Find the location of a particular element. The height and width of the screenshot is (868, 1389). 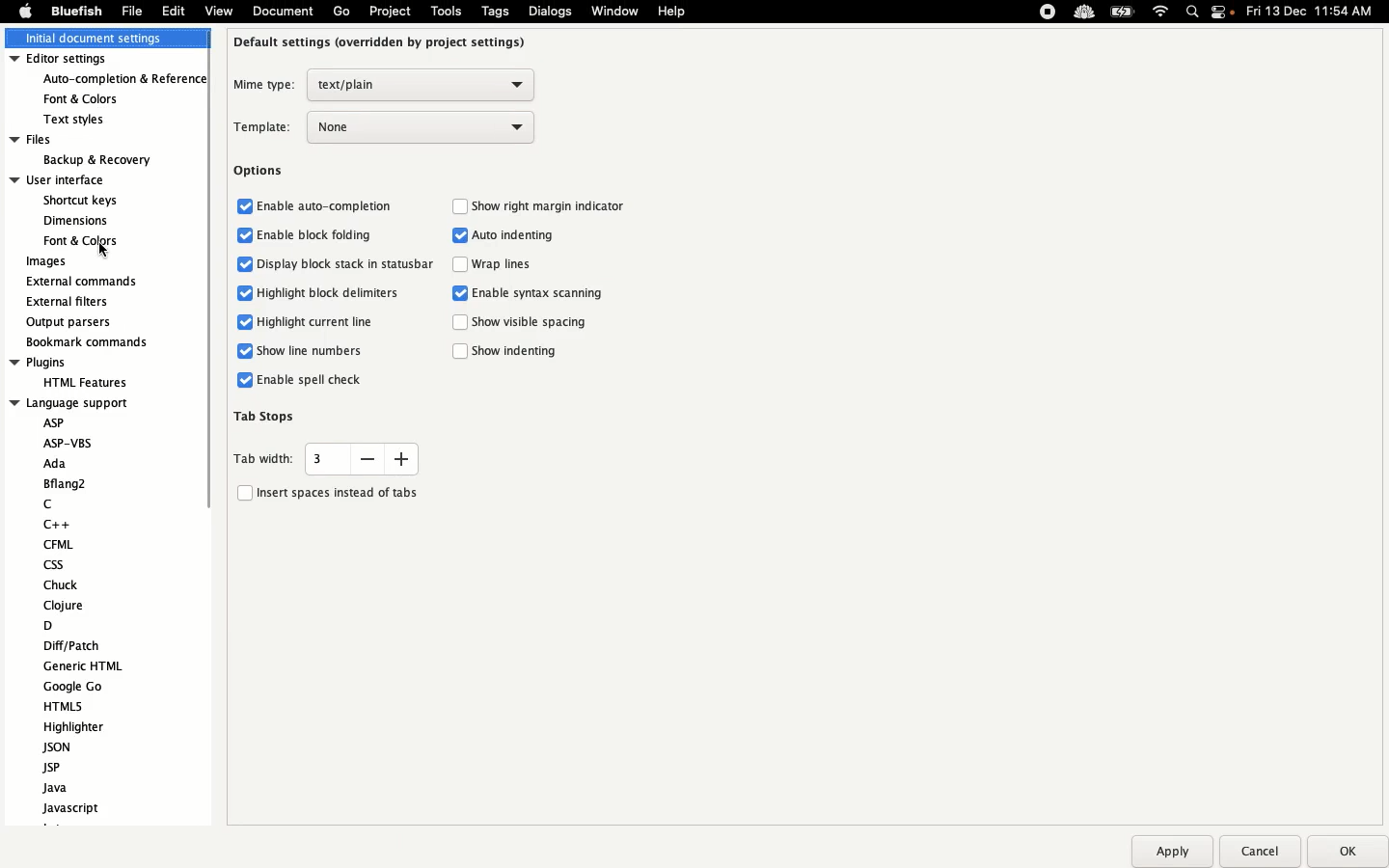

cursor is located at coordinates (104, 249).